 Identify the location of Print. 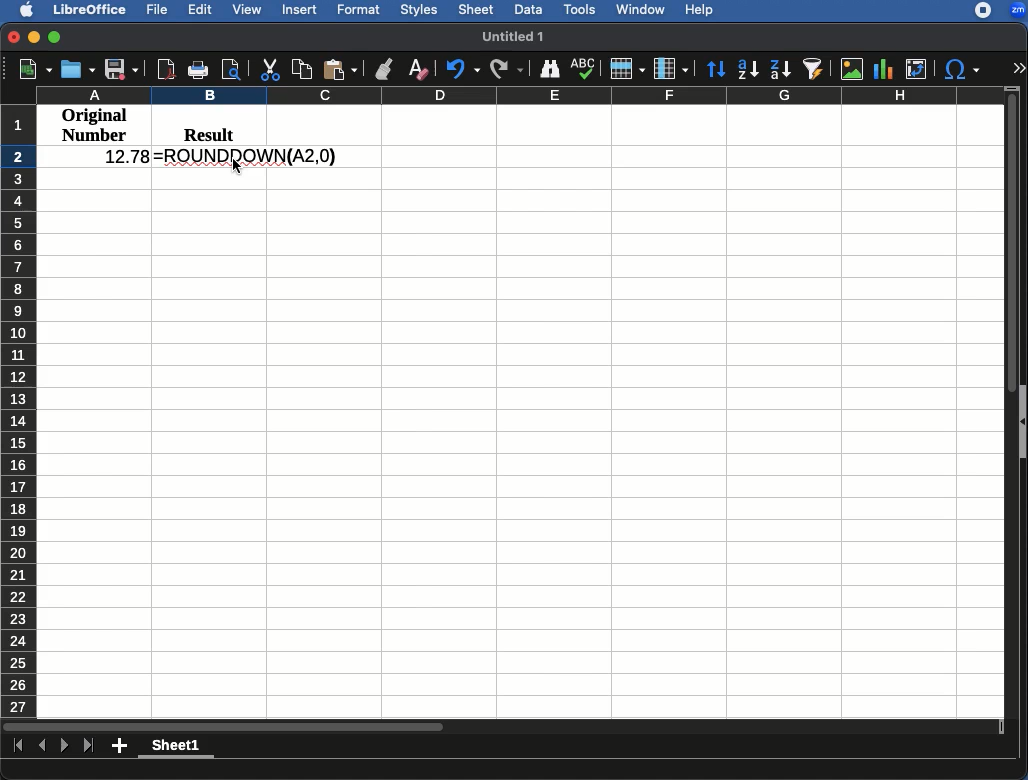
(197, 71).